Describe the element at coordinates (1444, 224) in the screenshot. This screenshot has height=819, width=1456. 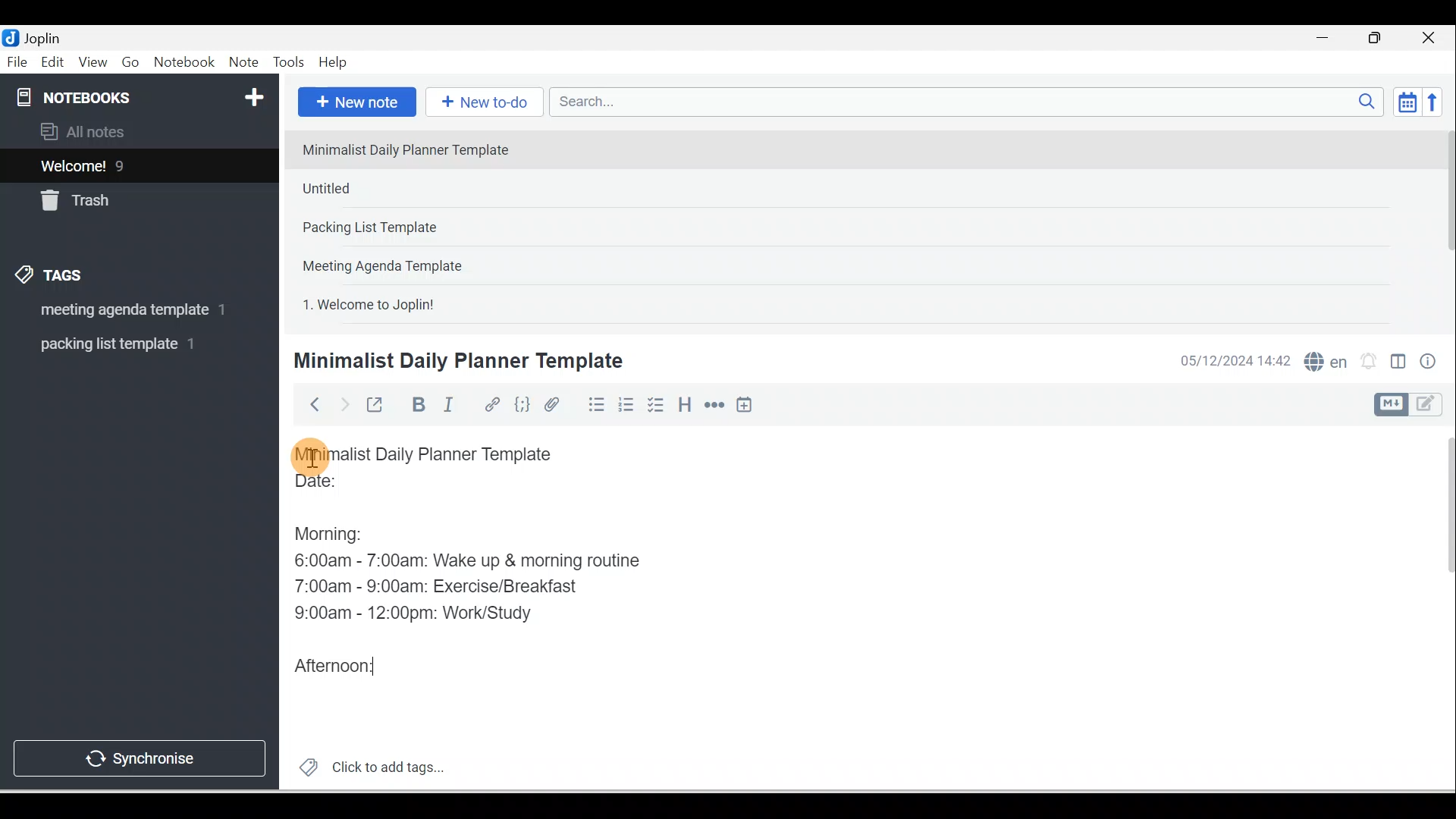
I see `Scroll bar` at that location.